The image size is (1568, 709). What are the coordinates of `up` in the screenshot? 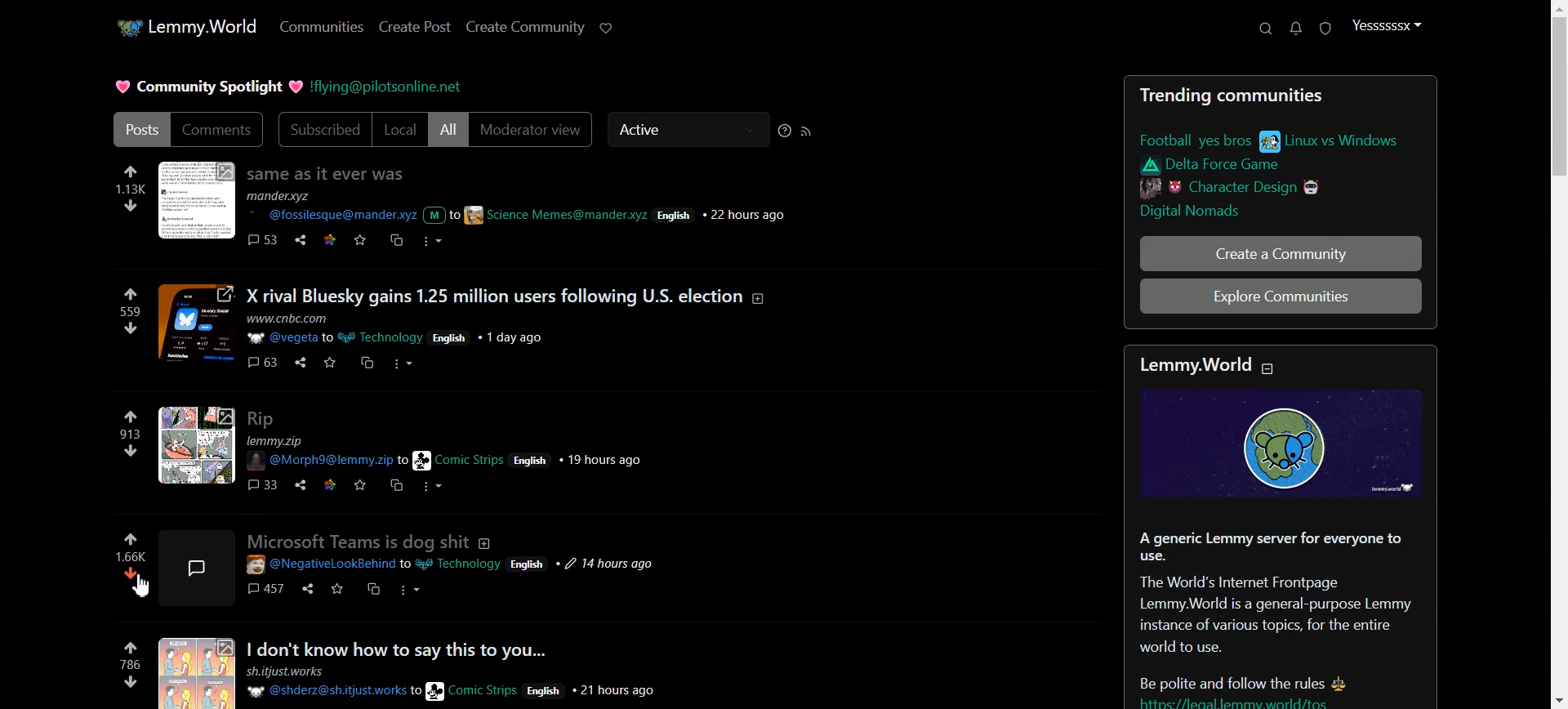 It's located at (130, 417).